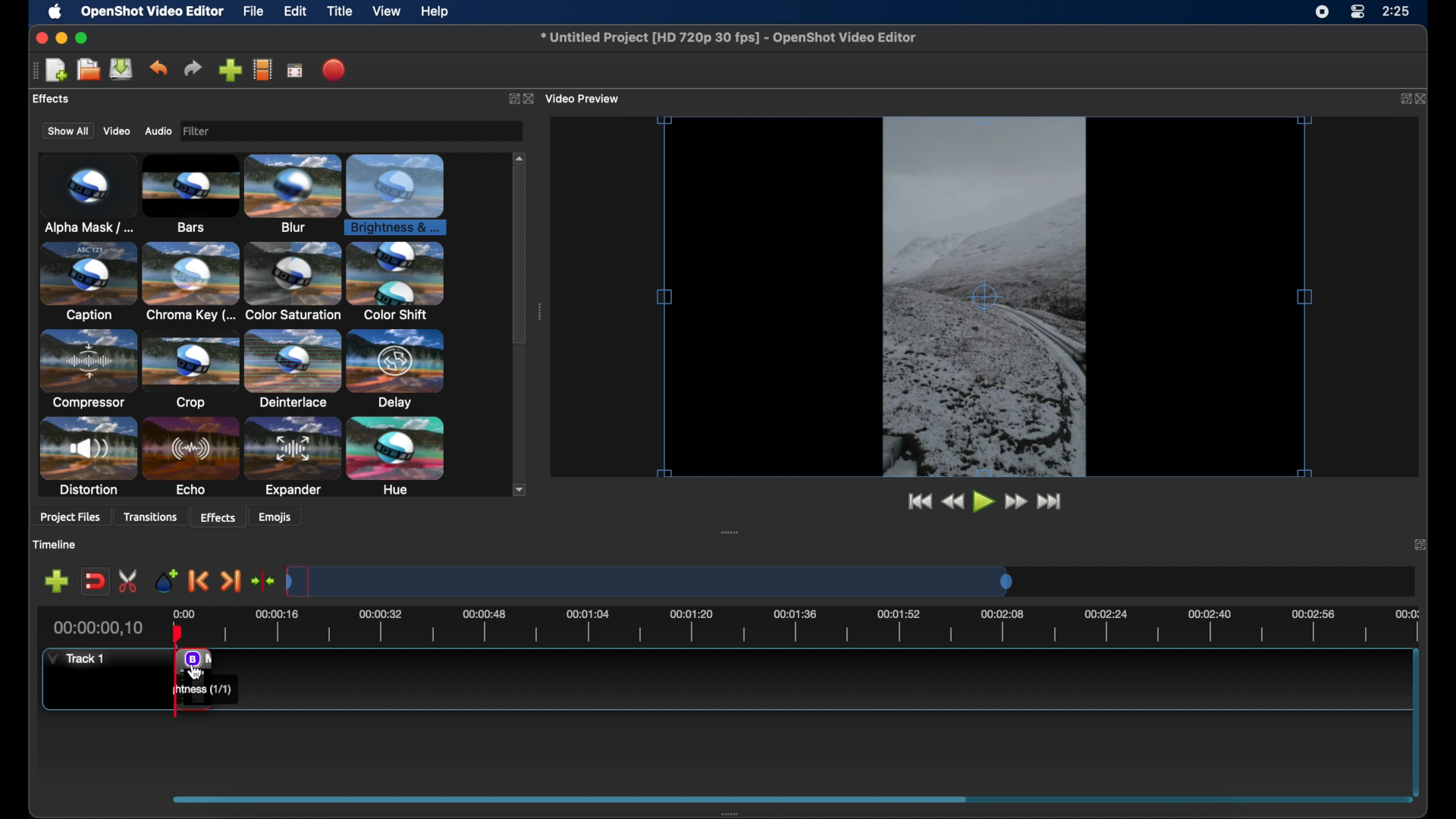 The width and height of the screenshot is (1456, 819). Describe the element at coordinates (820, 626) in the screenshot. I see `timeline scale` at that location.